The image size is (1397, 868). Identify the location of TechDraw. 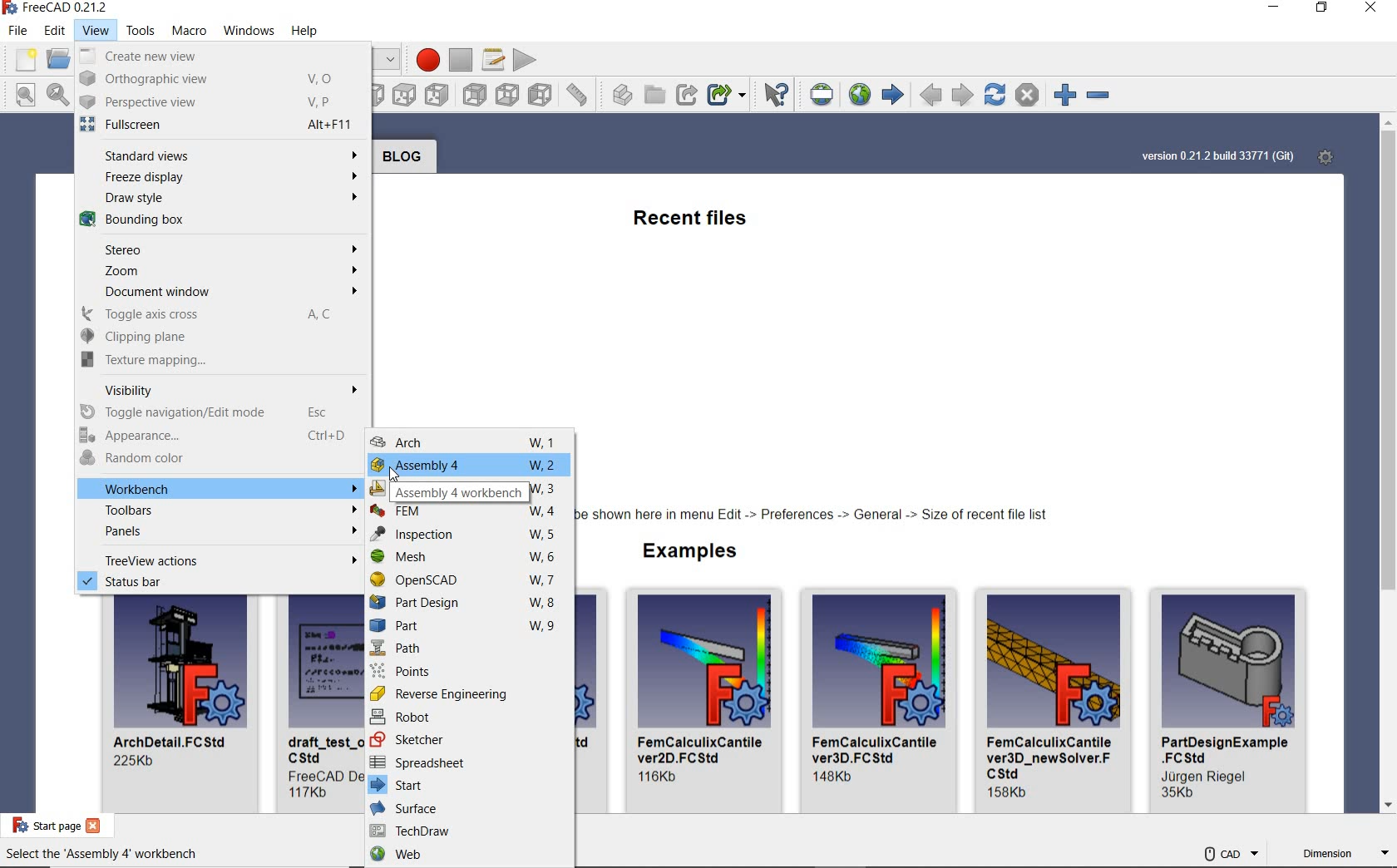
(468, 831).